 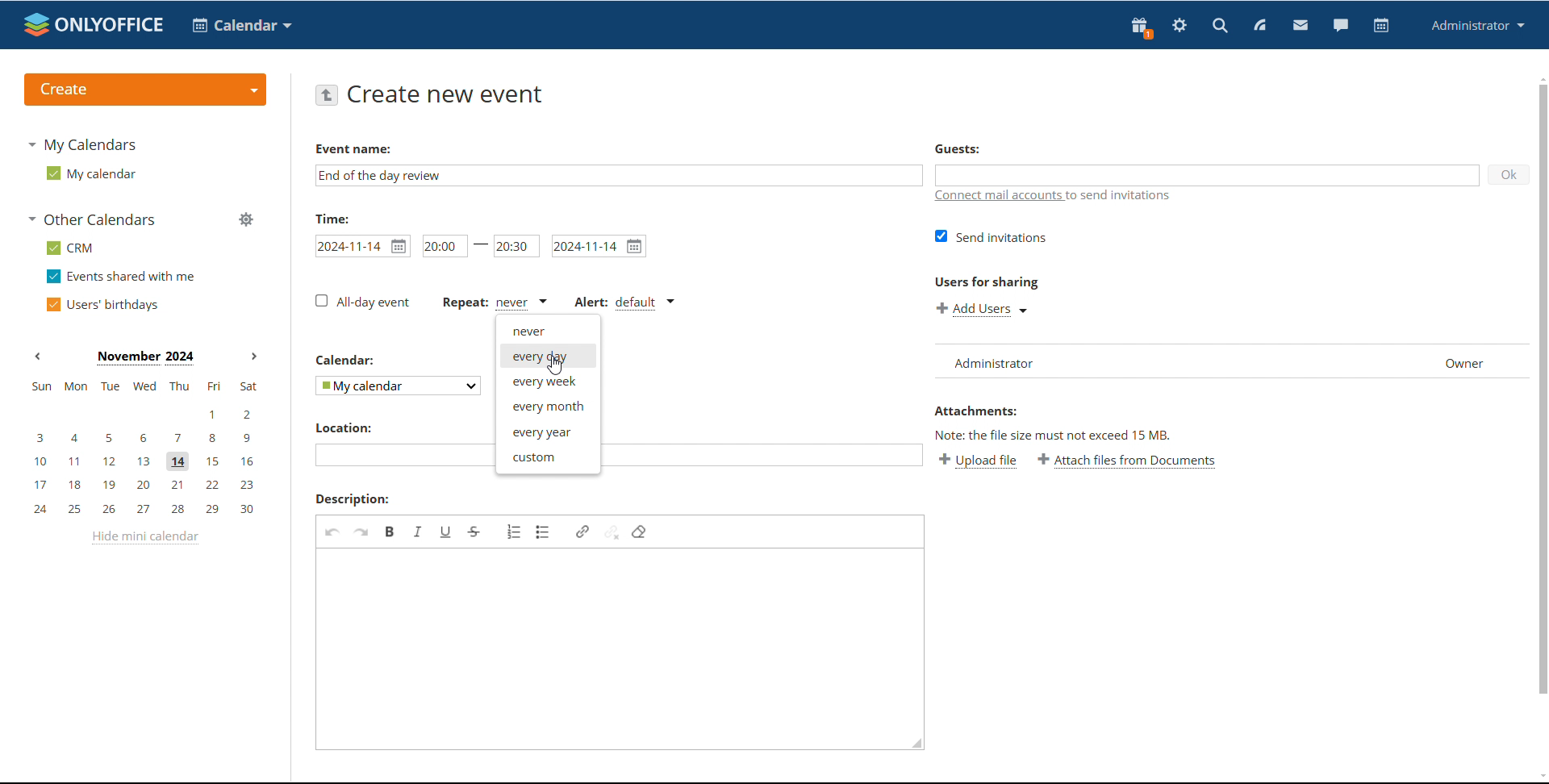 I want to click on unlink, so click(x=612, y=531).